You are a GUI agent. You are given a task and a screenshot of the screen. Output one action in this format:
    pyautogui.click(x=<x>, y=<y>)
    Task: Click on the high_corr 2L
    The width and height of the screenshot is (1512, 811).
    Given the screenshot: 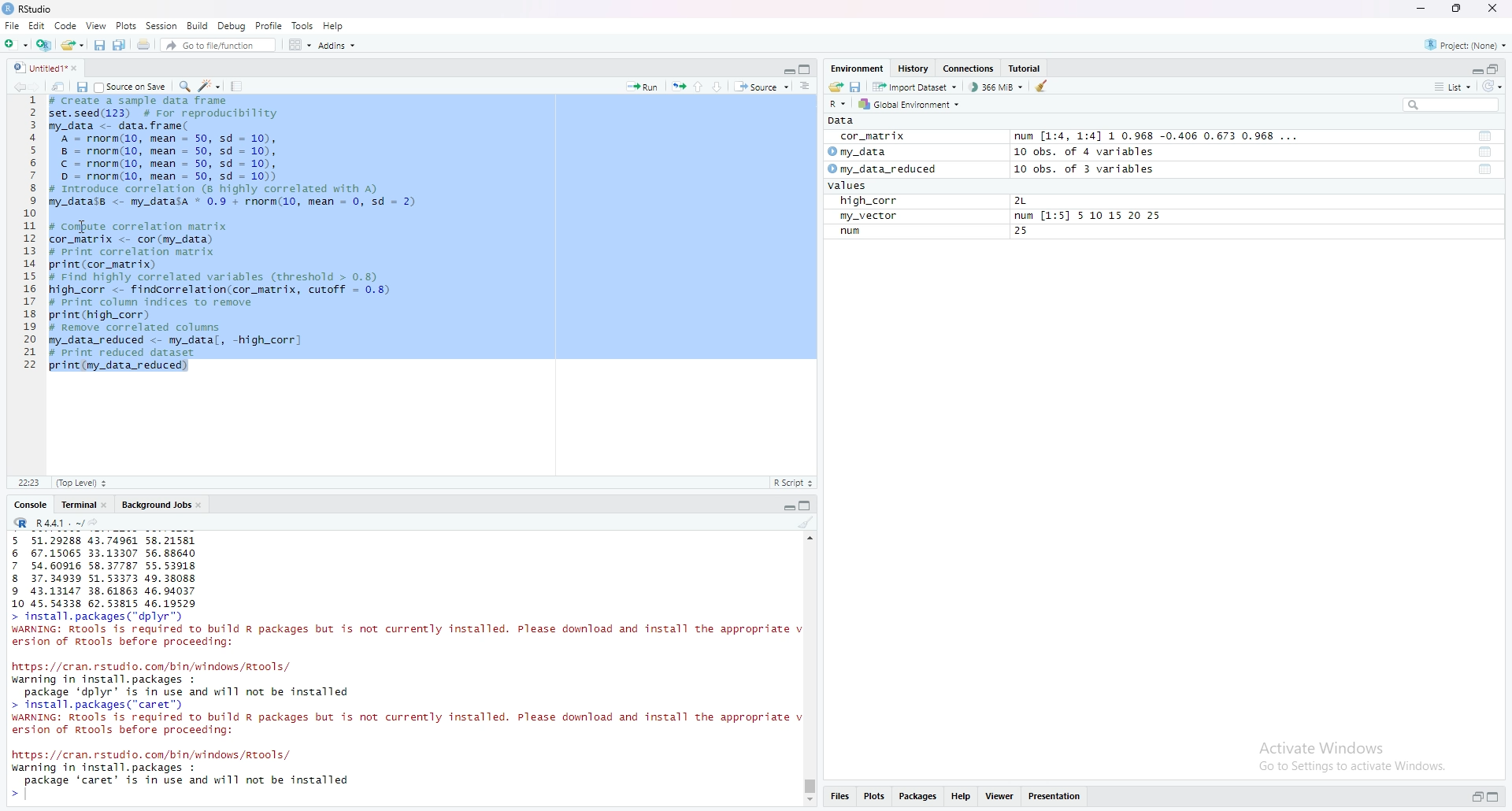 What is the action you would take?
    pyautogui.click(x=943, y=202)
    